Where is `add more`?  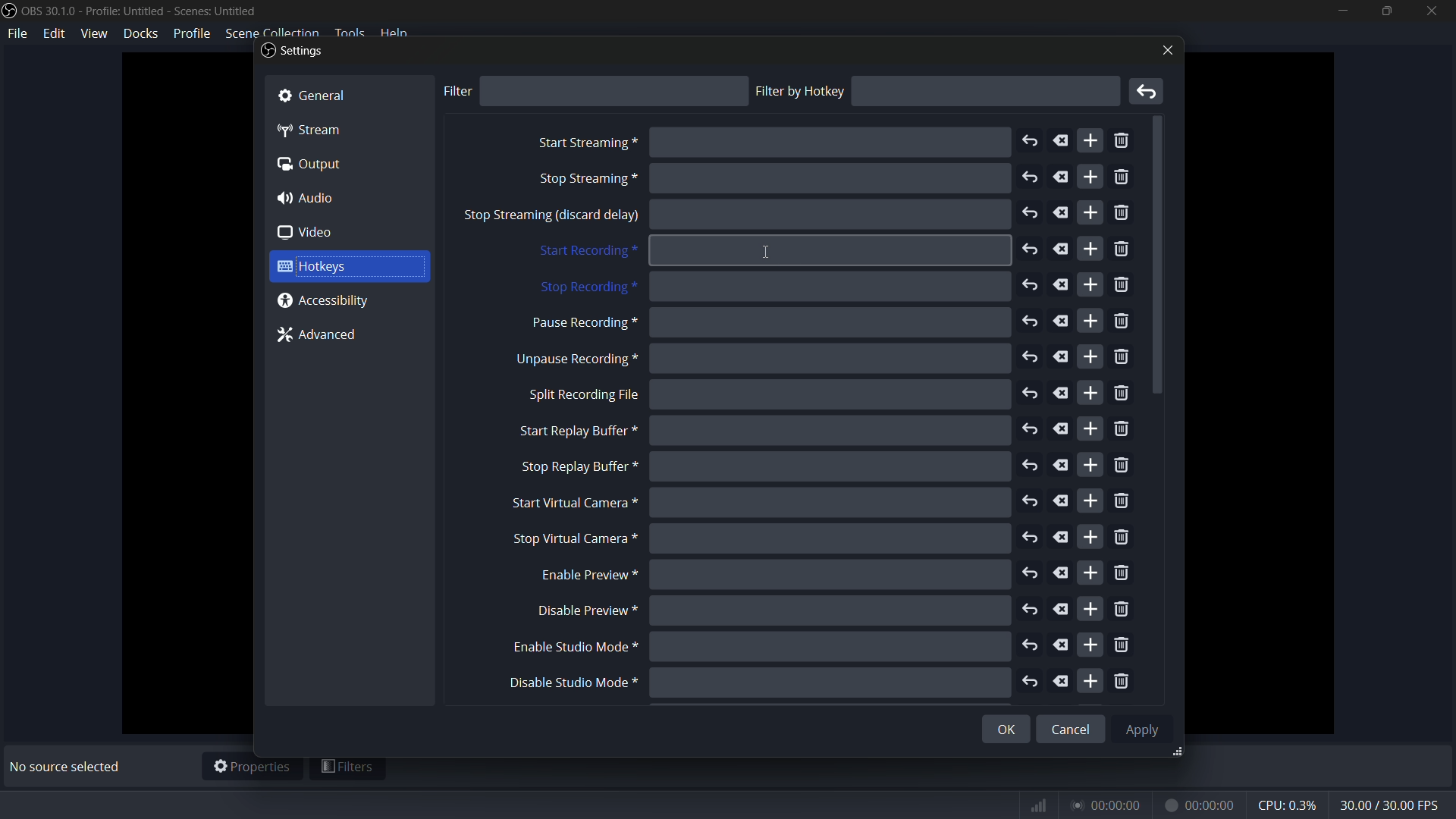
add more is located at coordinates (1090, 465).